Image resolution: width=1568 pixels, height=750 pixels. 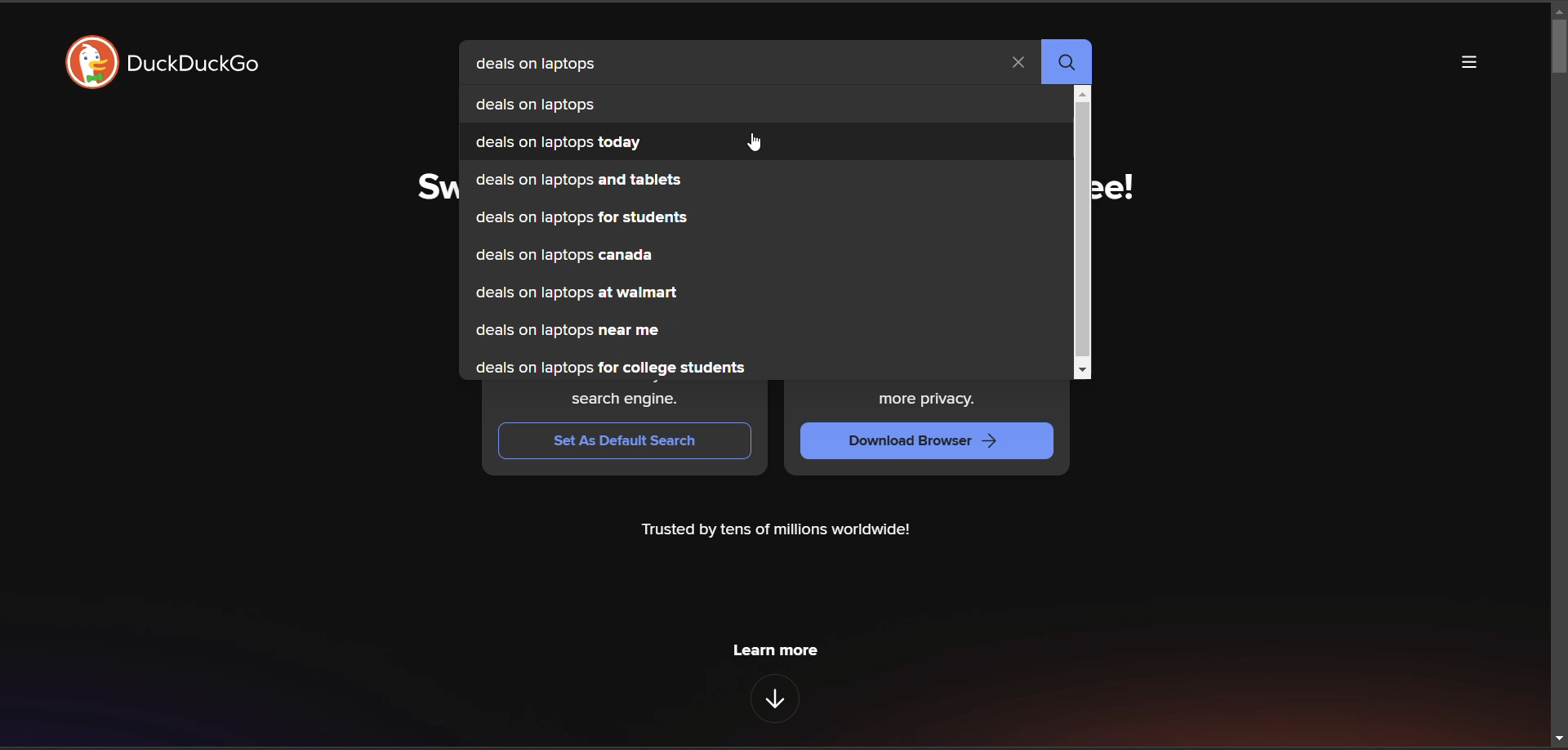 What do you see at coordinates (630, 441) in the screenshot?
I see `Set As Default Search` at bounding box center [630, 441].